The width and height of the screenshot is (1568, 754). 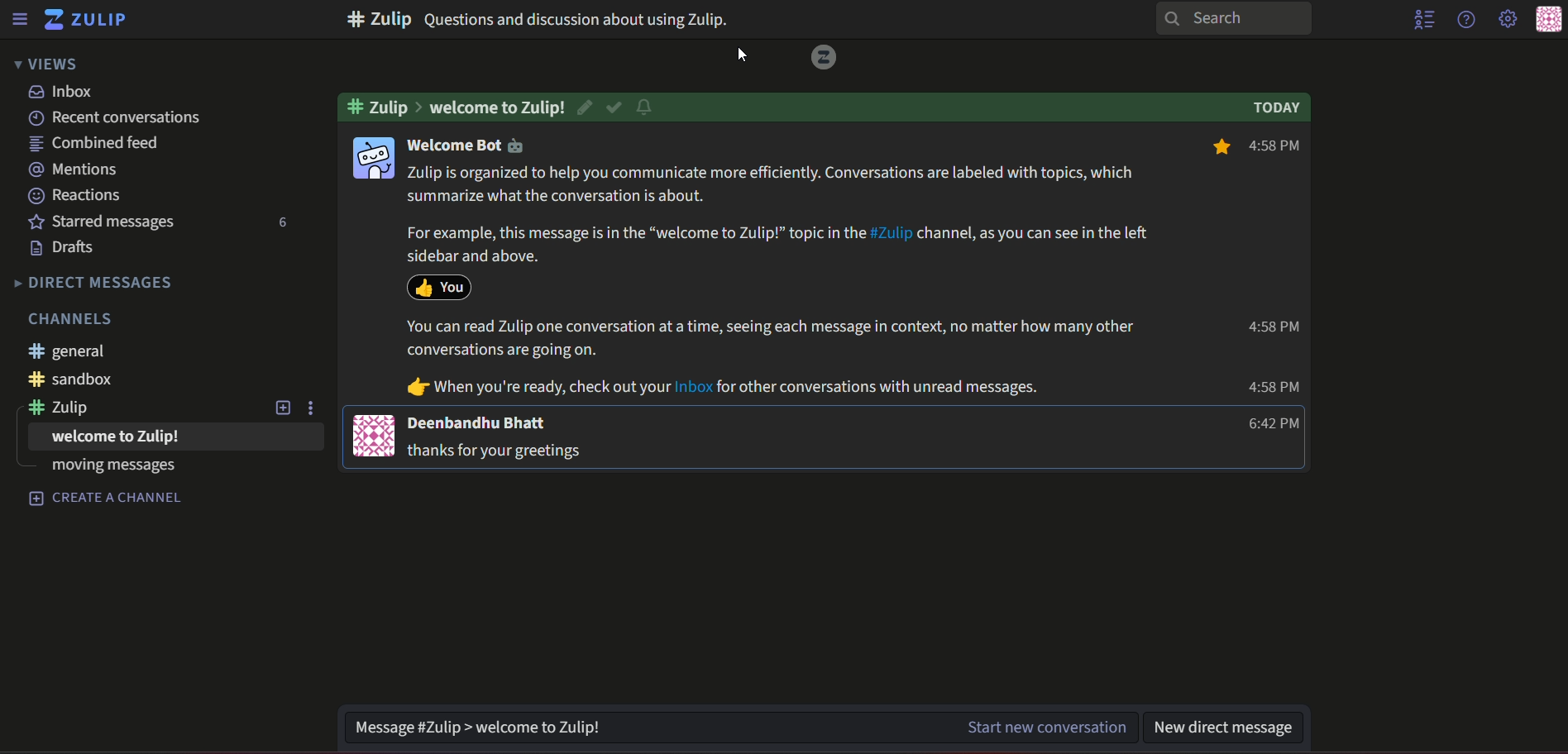 I want to click on Deenbandhu Bhatt, so click(x=476, y=421).